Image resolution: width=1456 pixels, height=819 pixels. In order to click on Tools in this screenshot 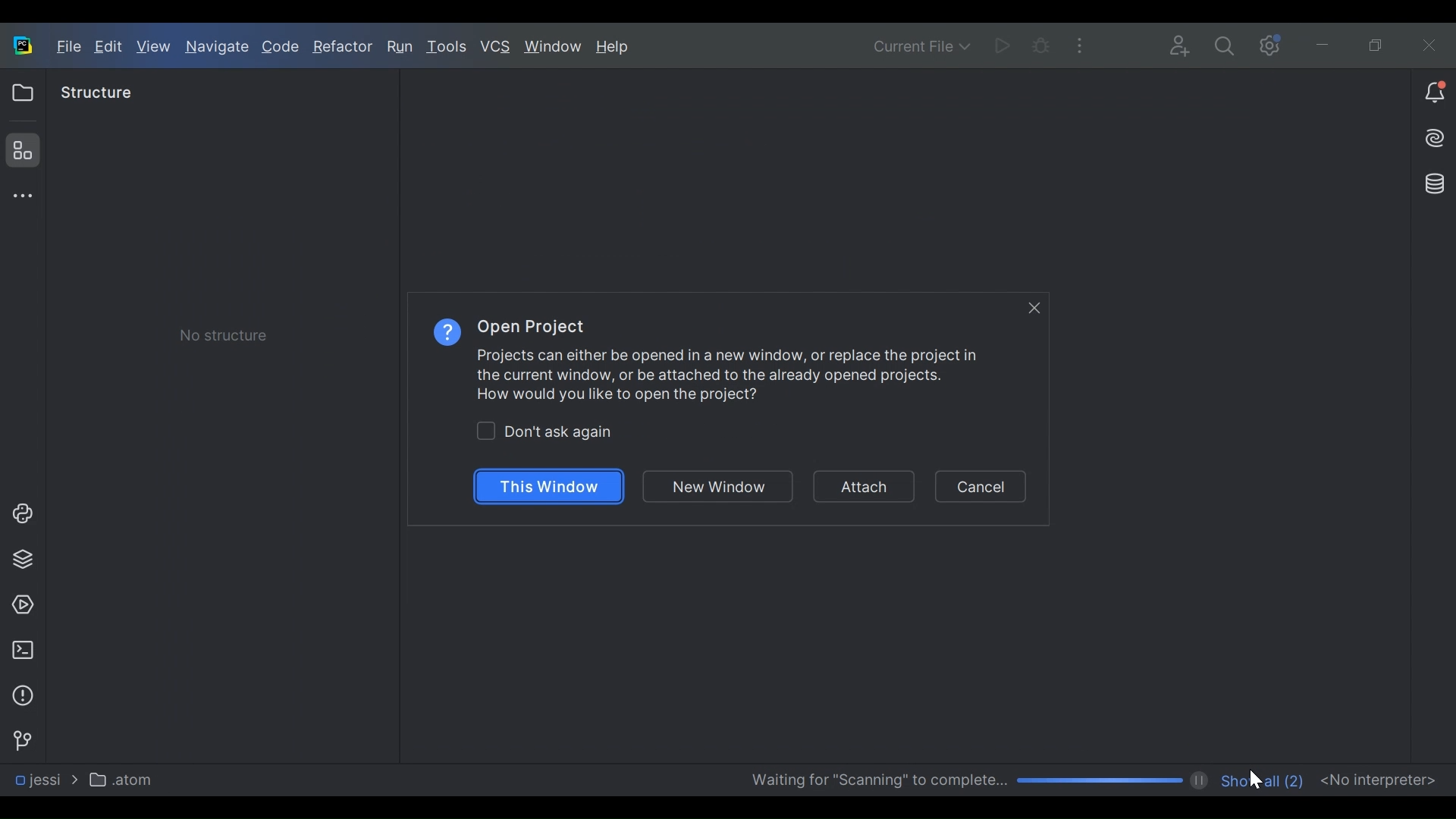, I will do `click(446, 45)`.